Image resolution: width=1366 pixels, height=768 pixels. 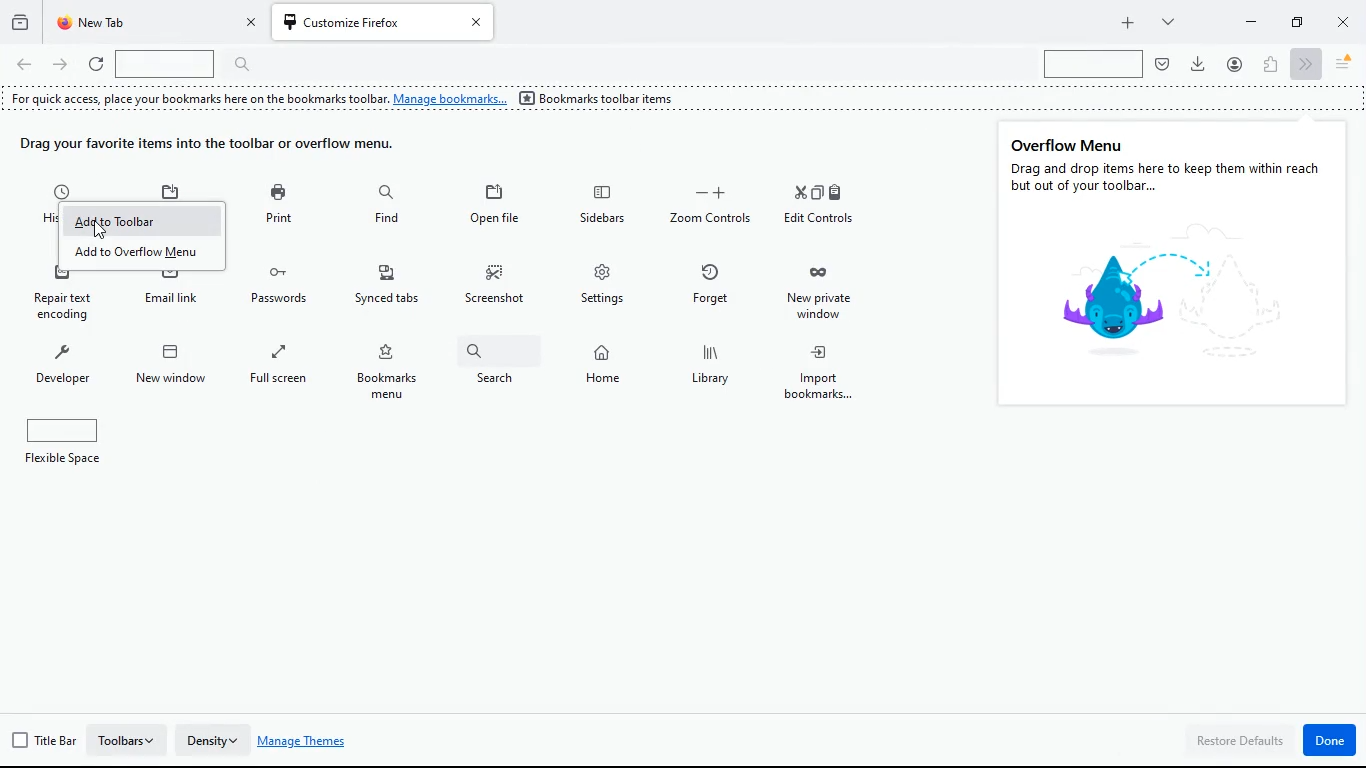 I want to click on menu, so click(x=1344, y=64).